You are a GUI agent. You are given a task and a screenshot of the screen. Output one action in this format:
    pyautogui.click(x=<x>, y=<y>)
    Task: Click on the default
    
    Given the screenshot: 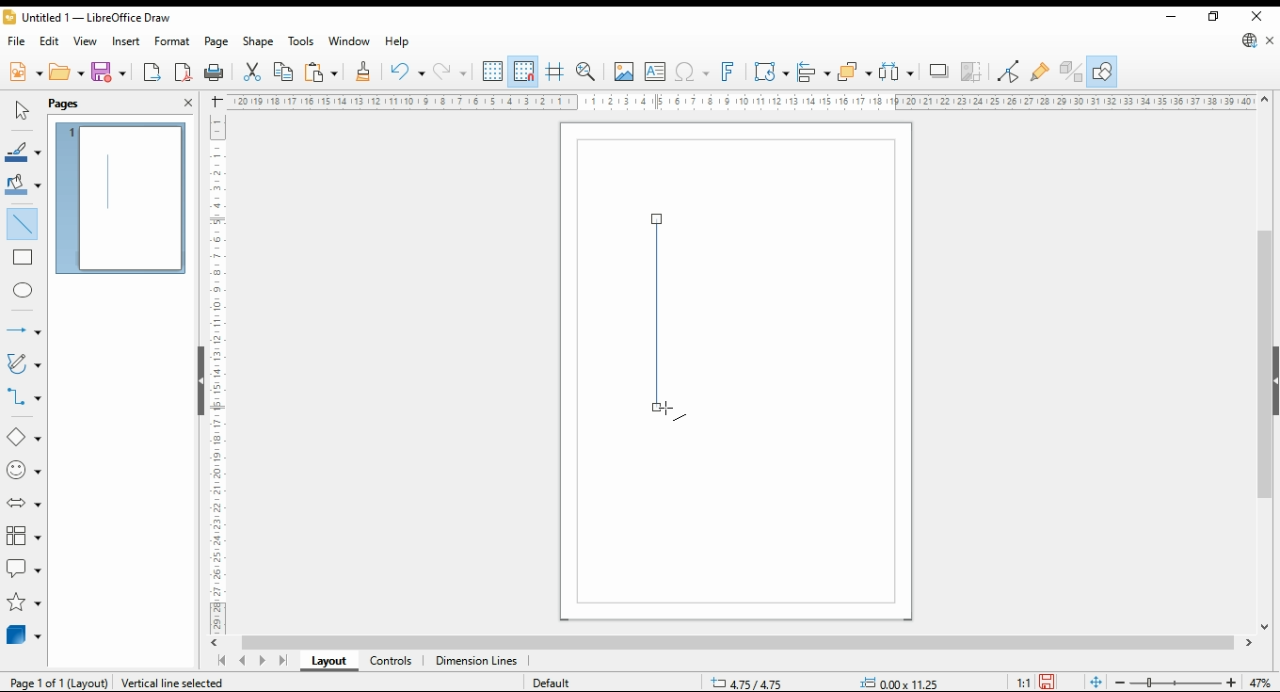 What is the action you would take?
    pyautogui.click(x=557, y=684)
    